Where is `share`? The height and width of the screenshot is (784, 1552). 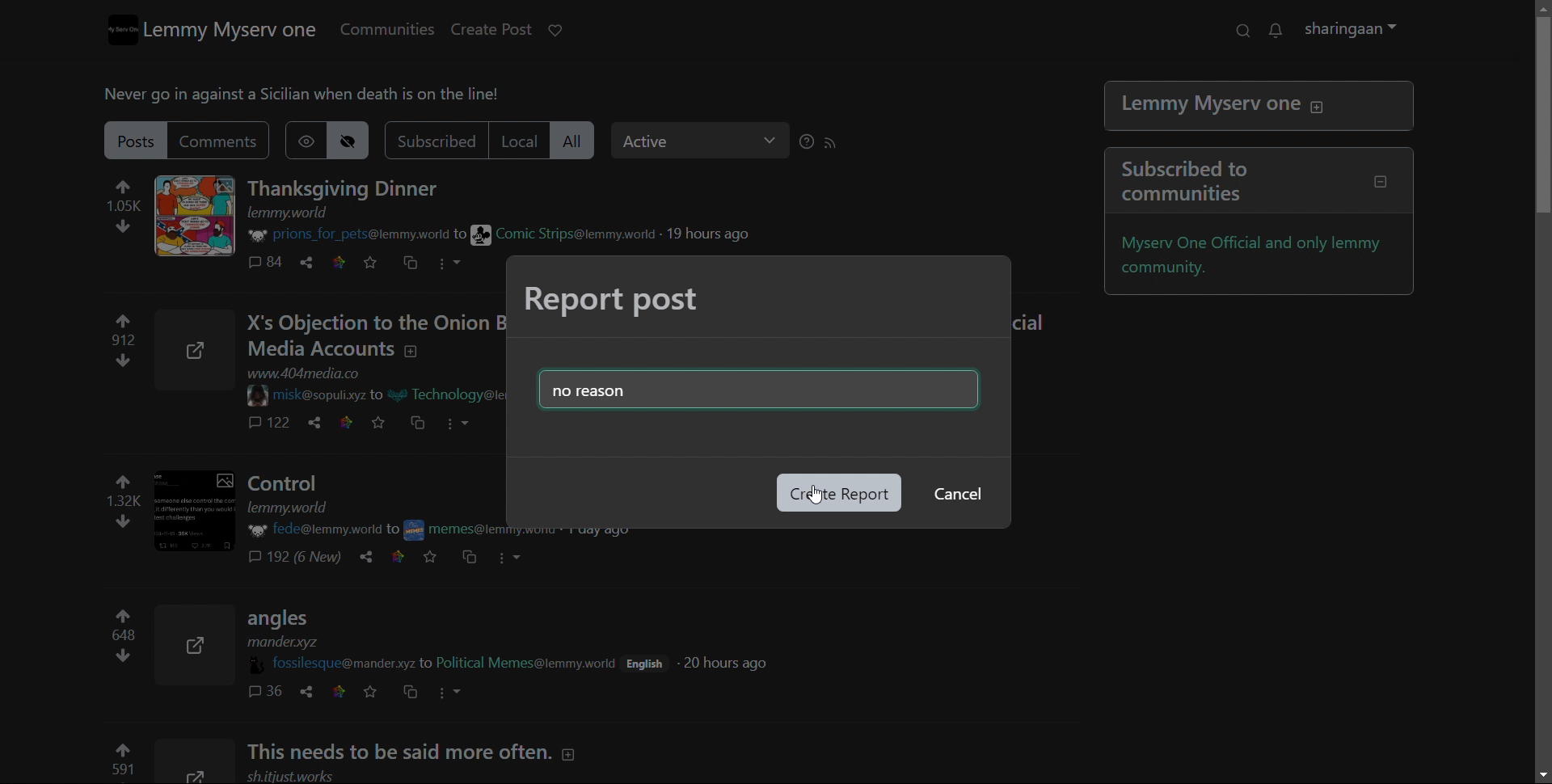
share is located at coordinates (315, 262).